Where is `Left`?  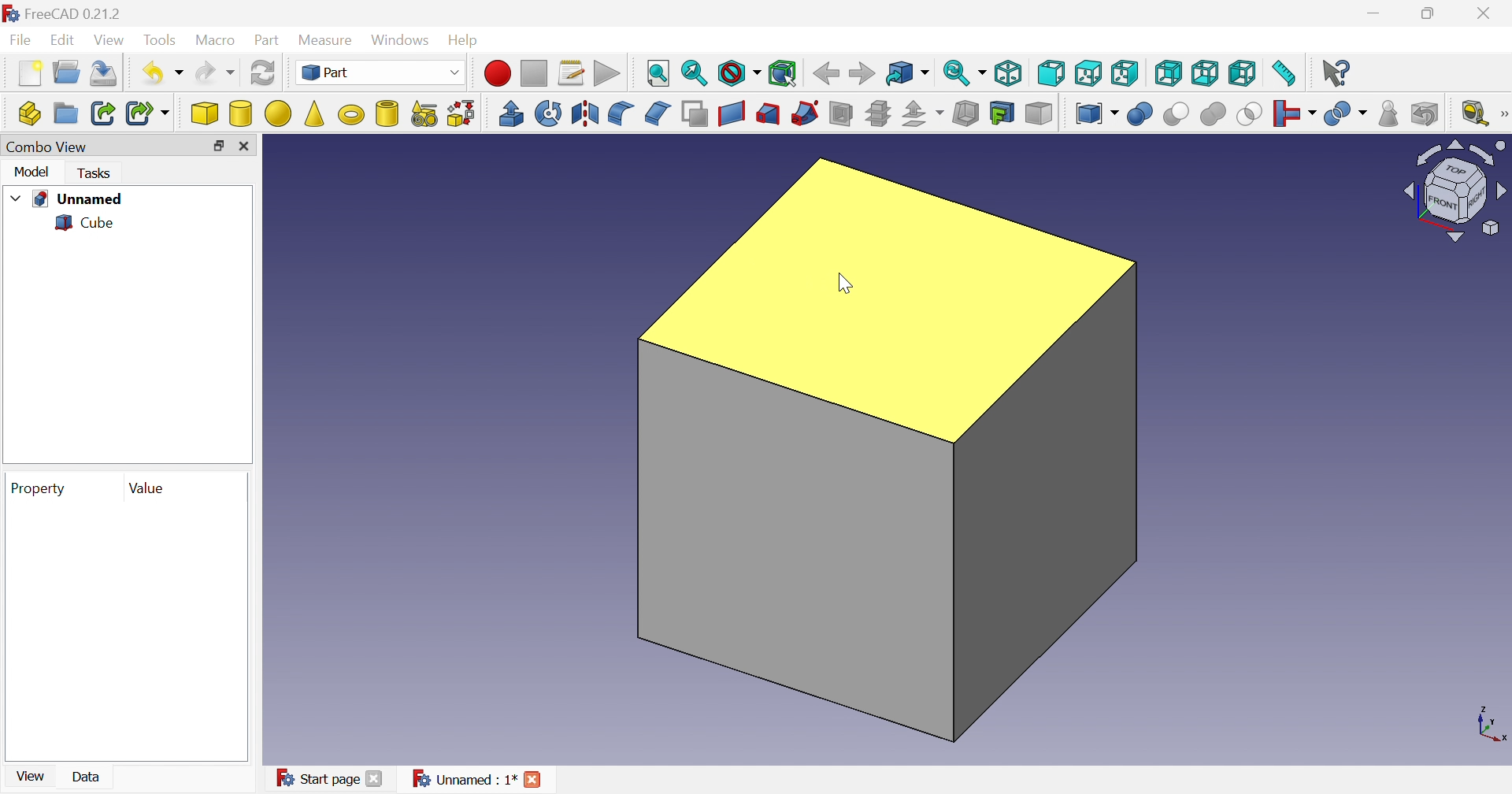 Left is located at coordinates (1243, 74).